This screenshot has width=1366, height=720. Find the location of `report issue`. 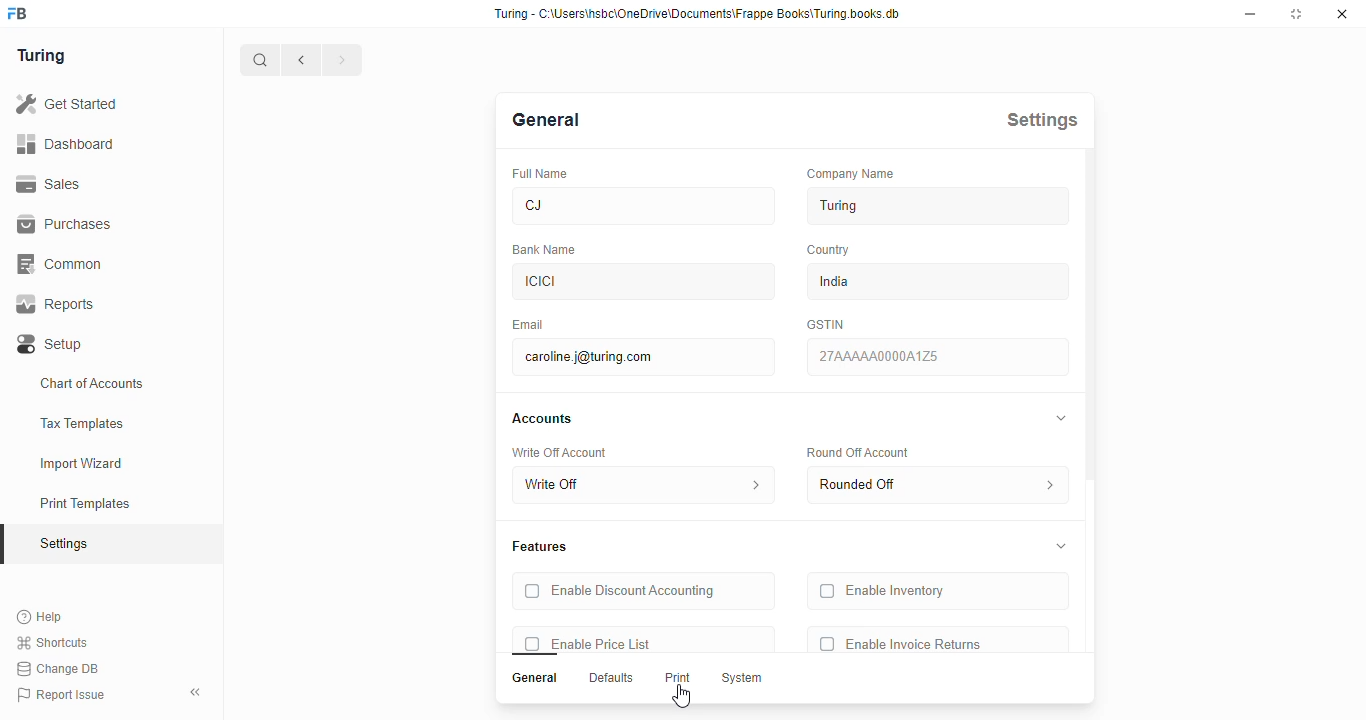

report issue is located at coordinates (61, 695).